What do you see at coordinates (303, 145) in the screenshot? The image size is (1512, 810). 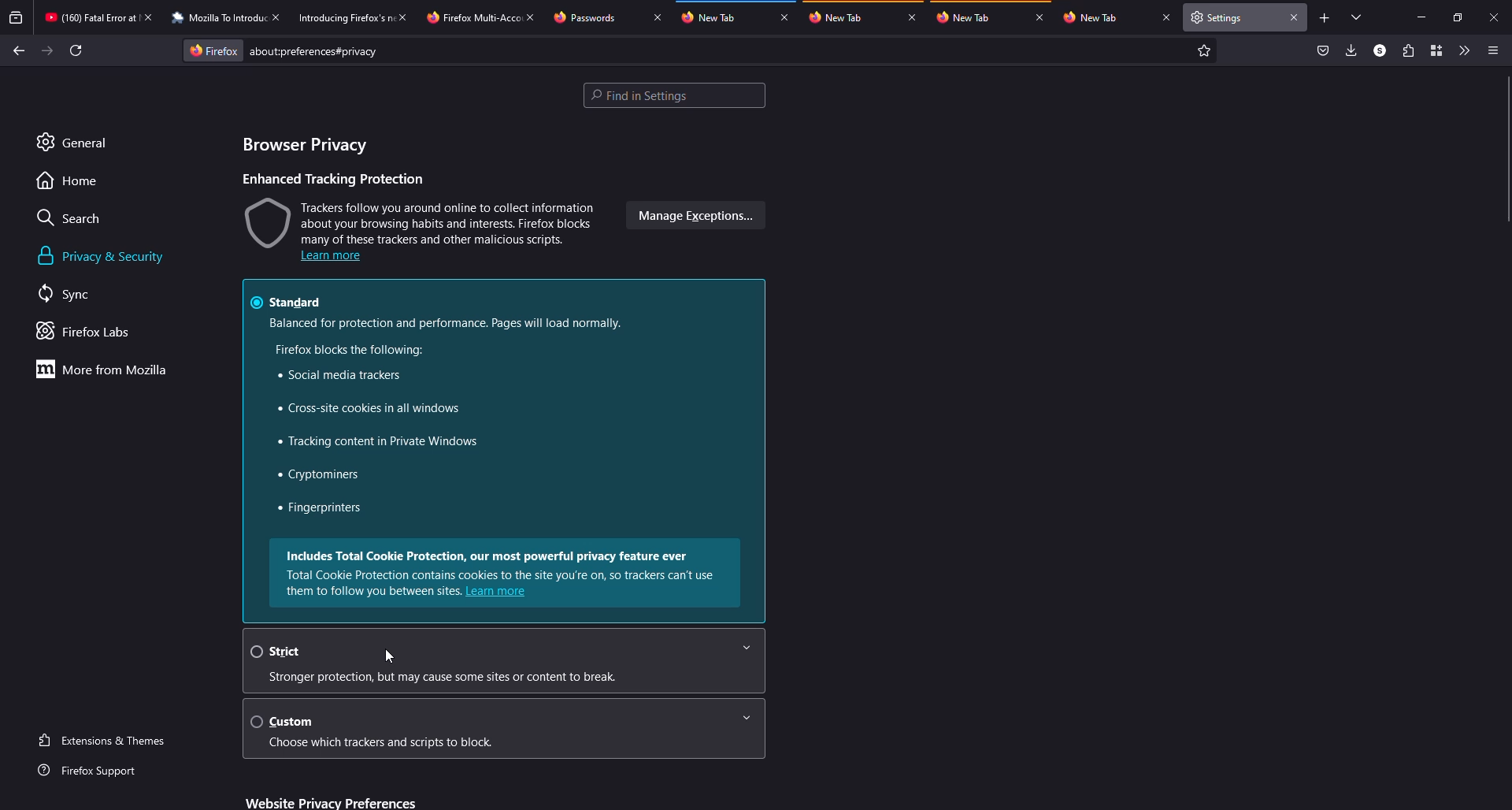 I see `browser privacy` at bounding box center [303, 145].